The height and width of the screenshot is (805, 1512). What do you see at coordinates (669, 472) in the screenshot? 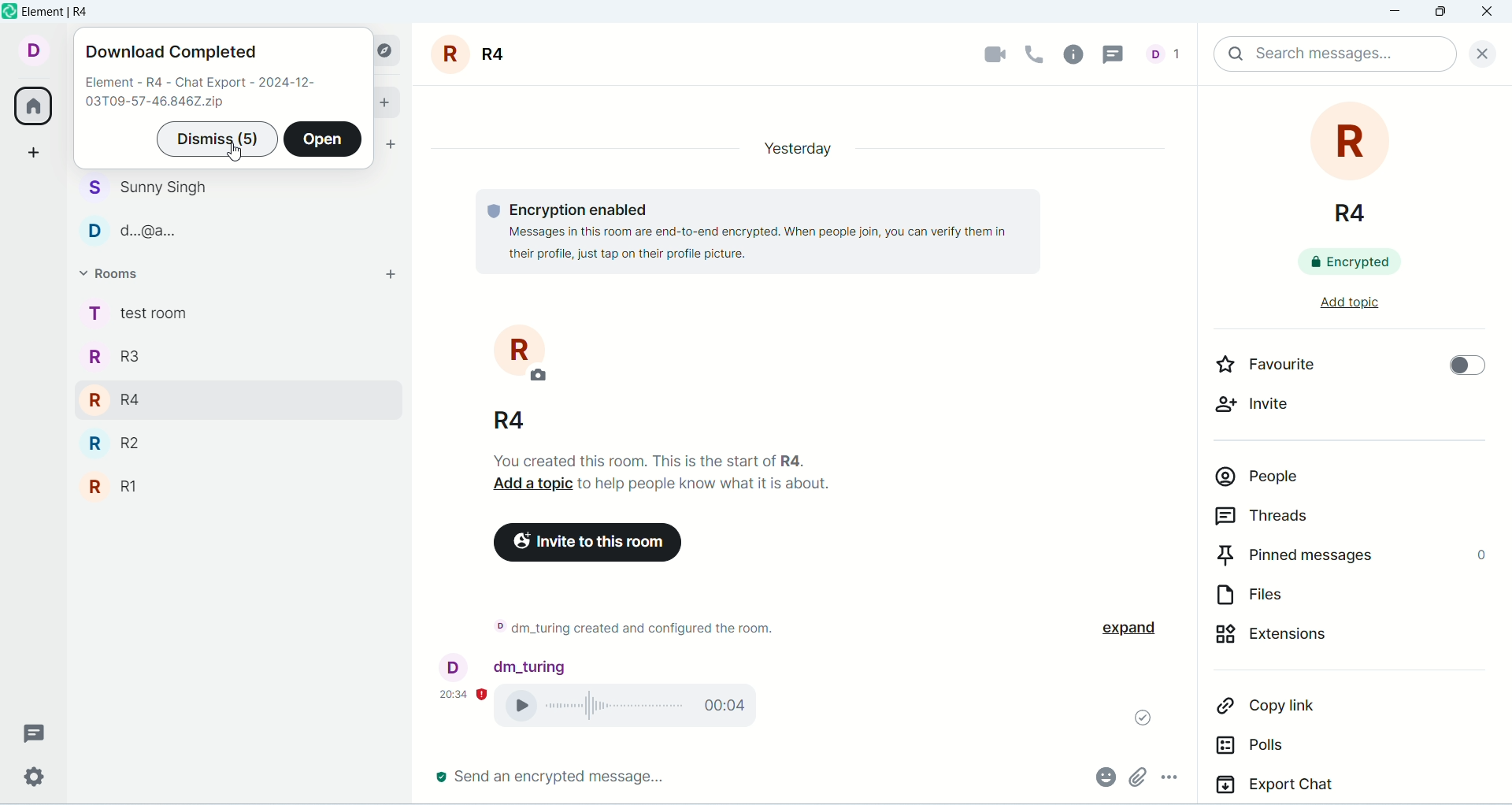
I see `text` at bounding box center [669, 472].